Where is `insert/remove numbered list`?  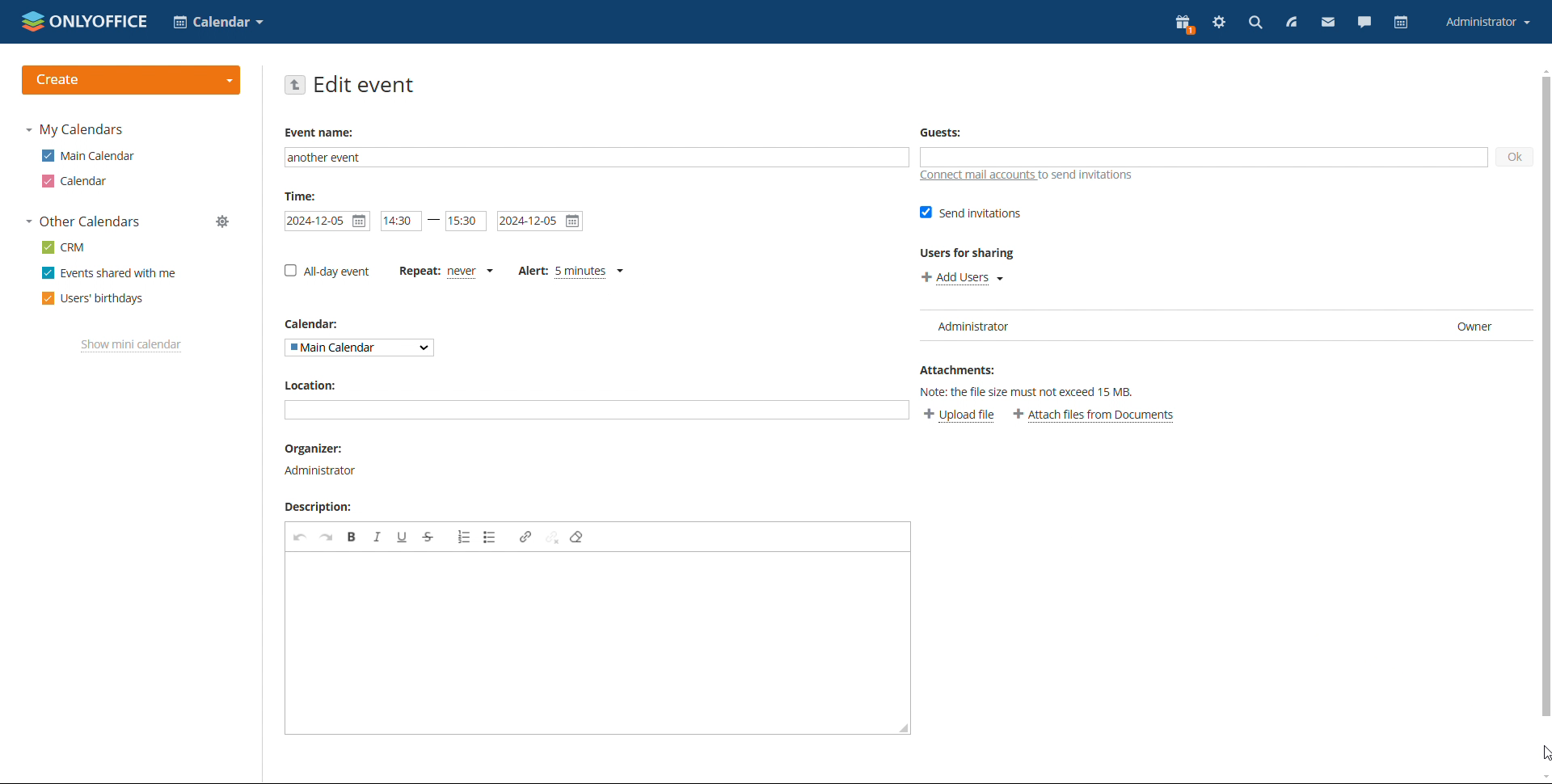 insert/remove numbered list is located at coordinates (463, 537).